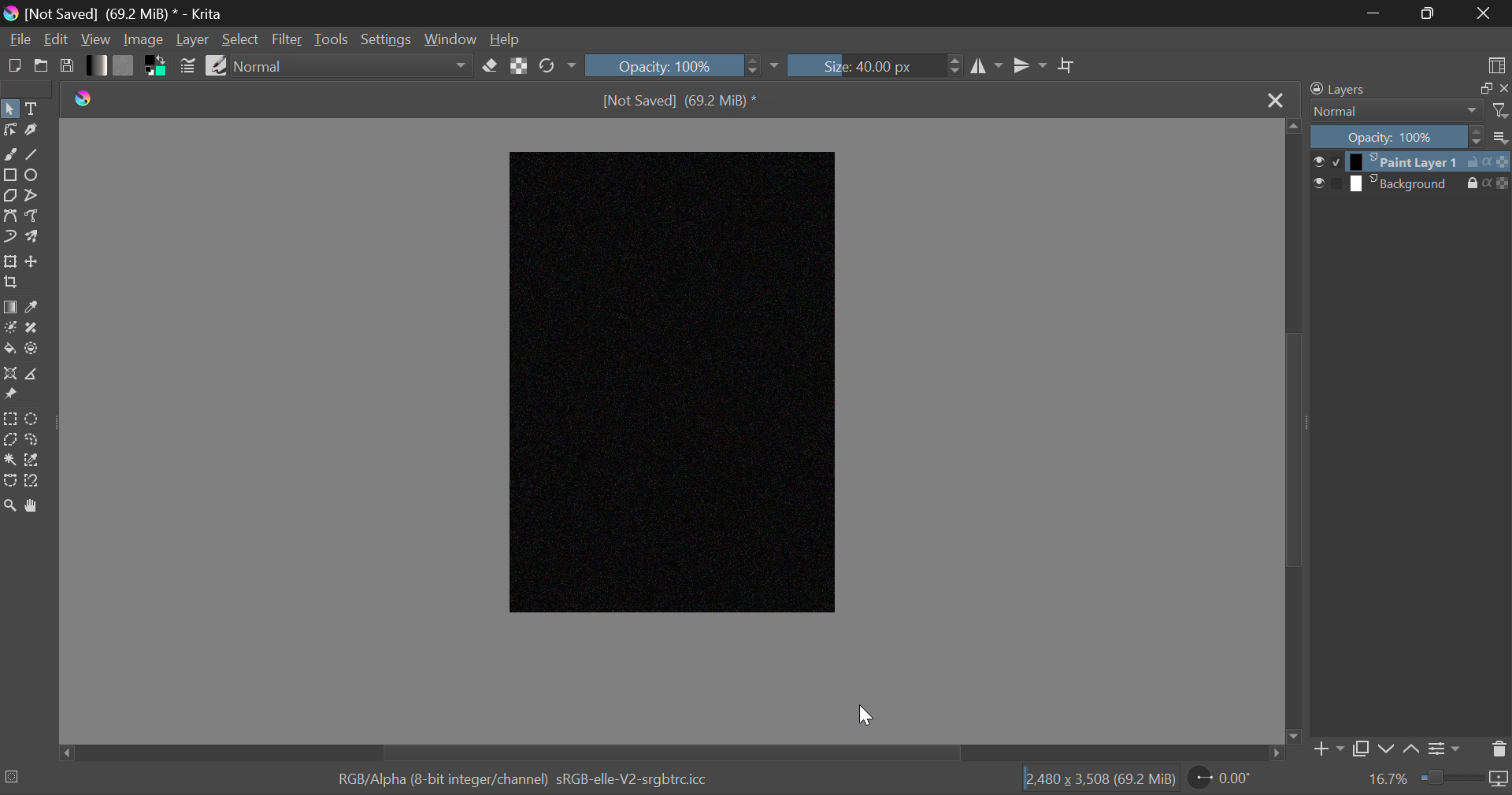 The height and width of the screenshot is (795, 1512). What do you see at coordinates (1401, 183) in the screenshot?
I see `background` at bounding box center [1401, 183].